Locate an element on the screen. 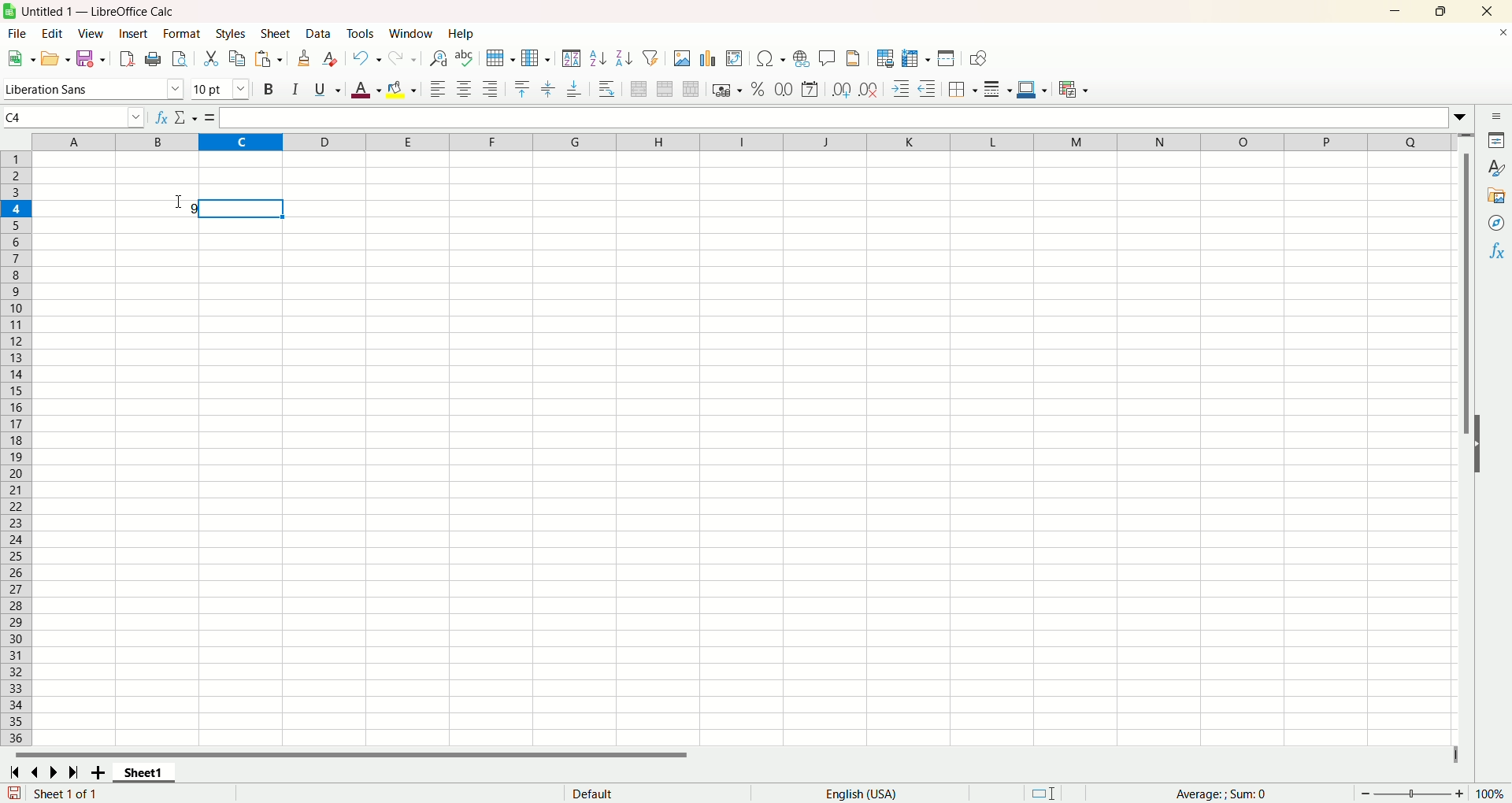 The image size is (1512, 803). expand formula is located at coordinates (1463, 117).